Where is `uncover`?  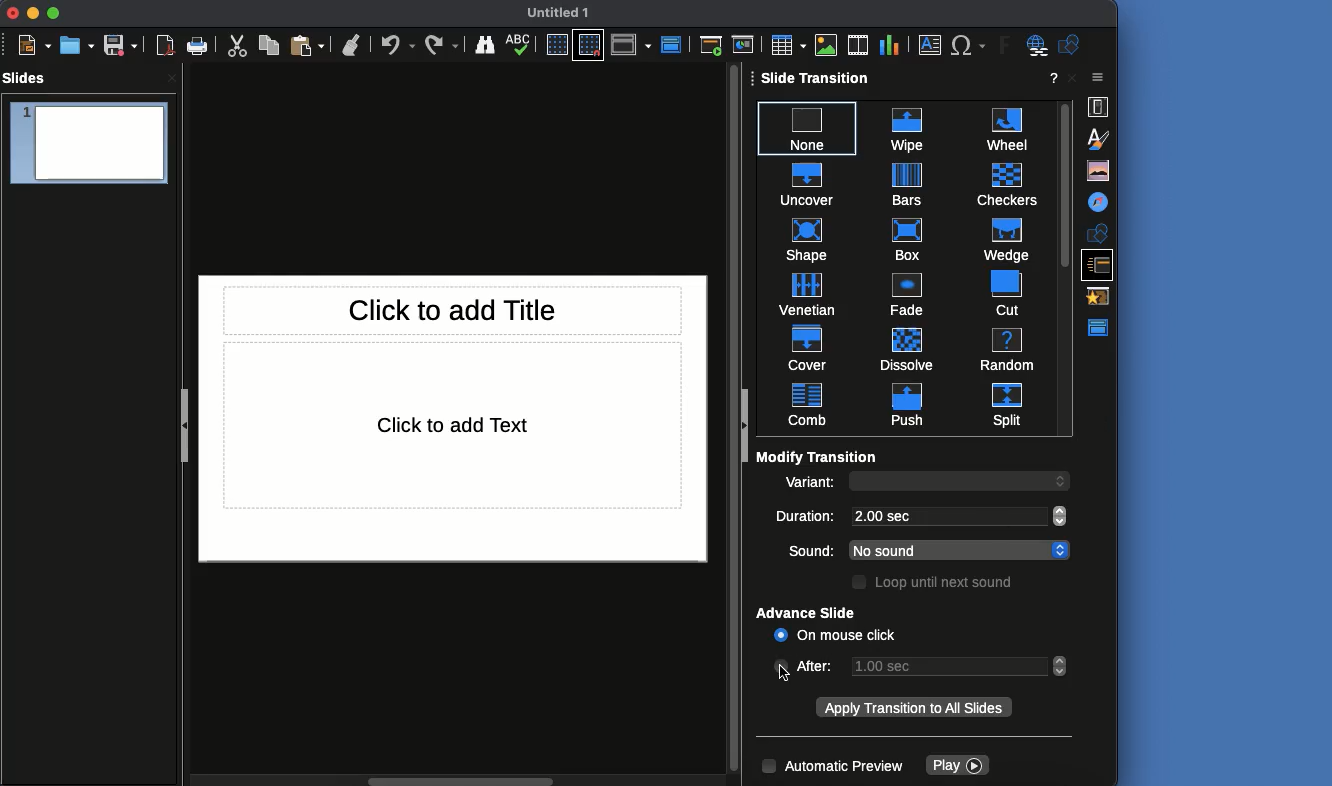 uncover is located at coordinates (806, 181).